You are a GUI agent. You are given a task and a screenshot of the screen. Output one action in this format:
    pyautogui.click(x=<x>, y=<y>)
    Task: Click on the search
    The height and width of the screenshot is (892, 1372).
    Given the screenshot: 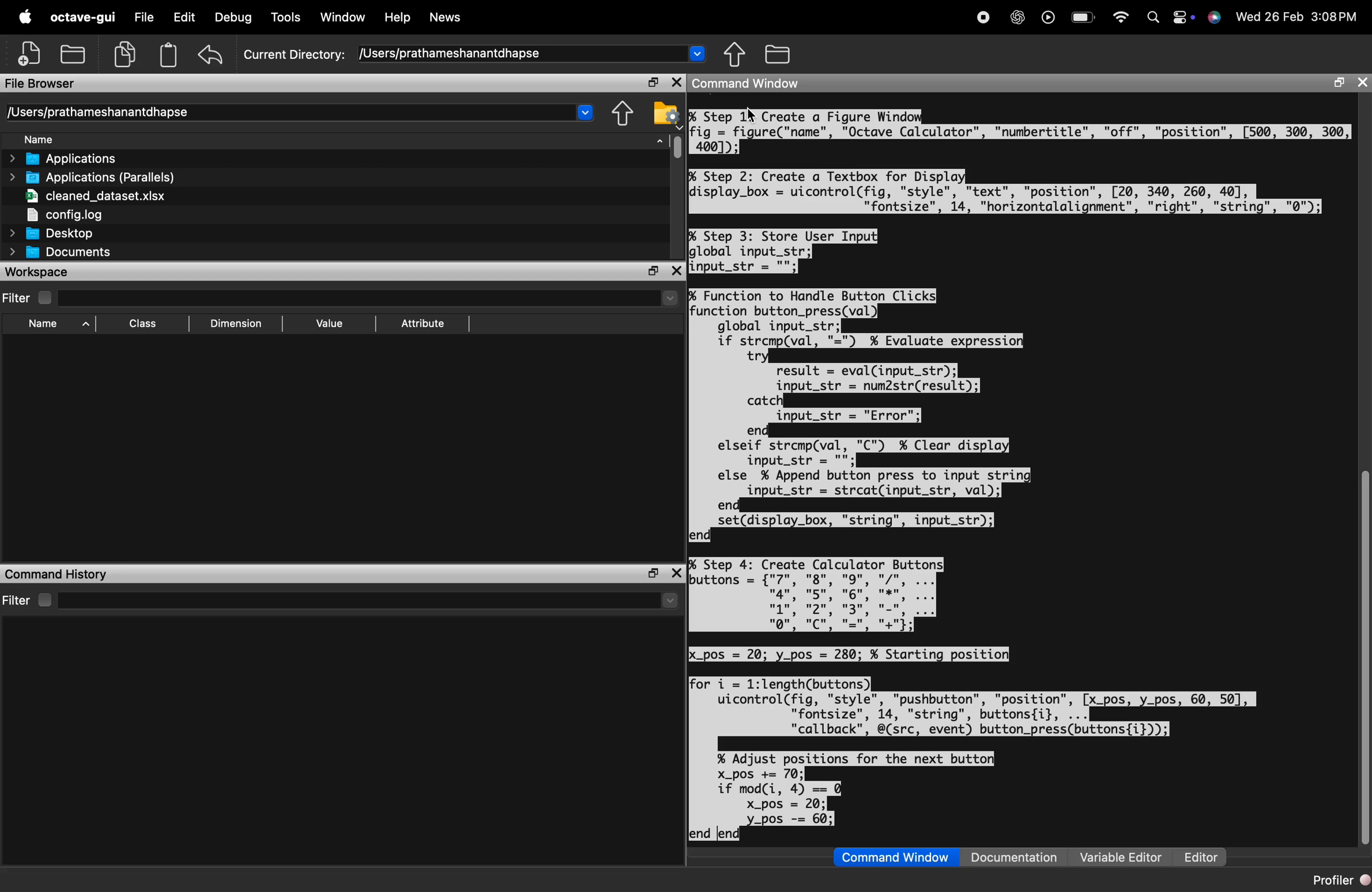 What is the action you would take?
    pyautogui.click(x=1152, y=17)
    